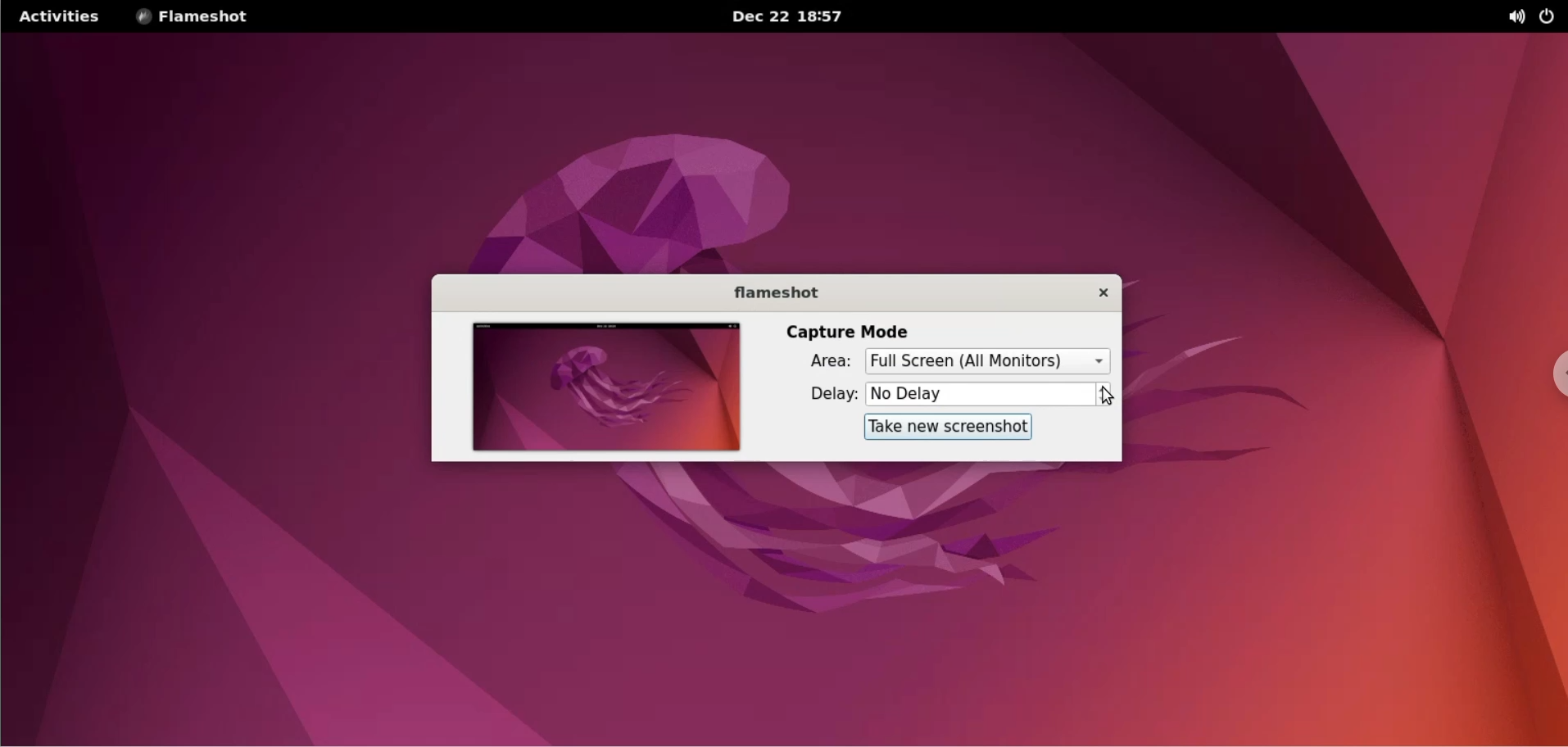 This screenshot has height=747, width=1568. I want to click on chrome options, so click(1552, 376).